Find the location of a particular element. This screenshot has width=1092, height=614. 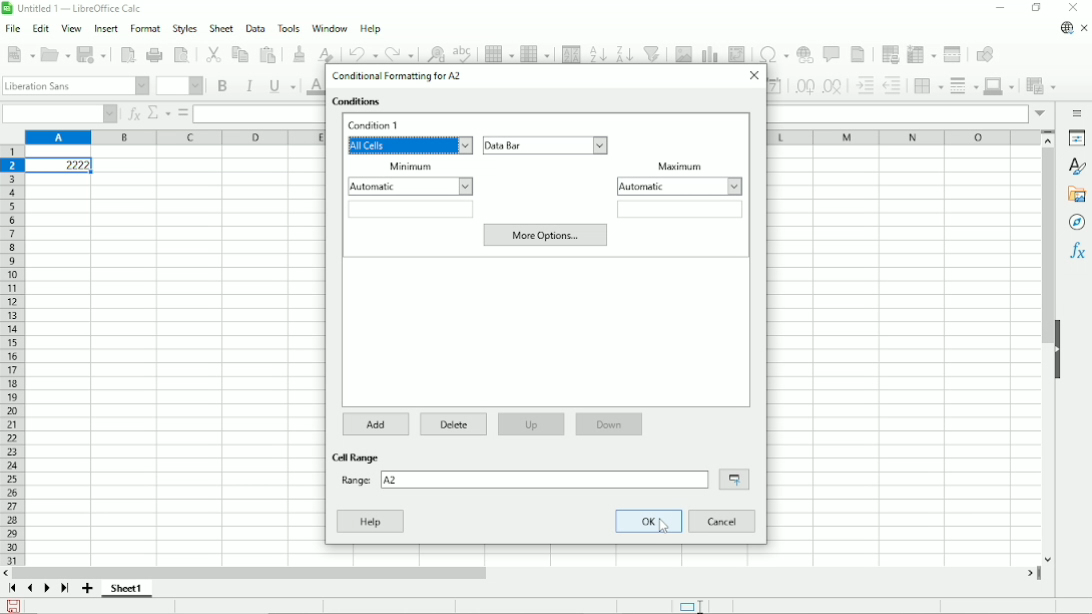

Function wizard is located at coordinates (134, 114).